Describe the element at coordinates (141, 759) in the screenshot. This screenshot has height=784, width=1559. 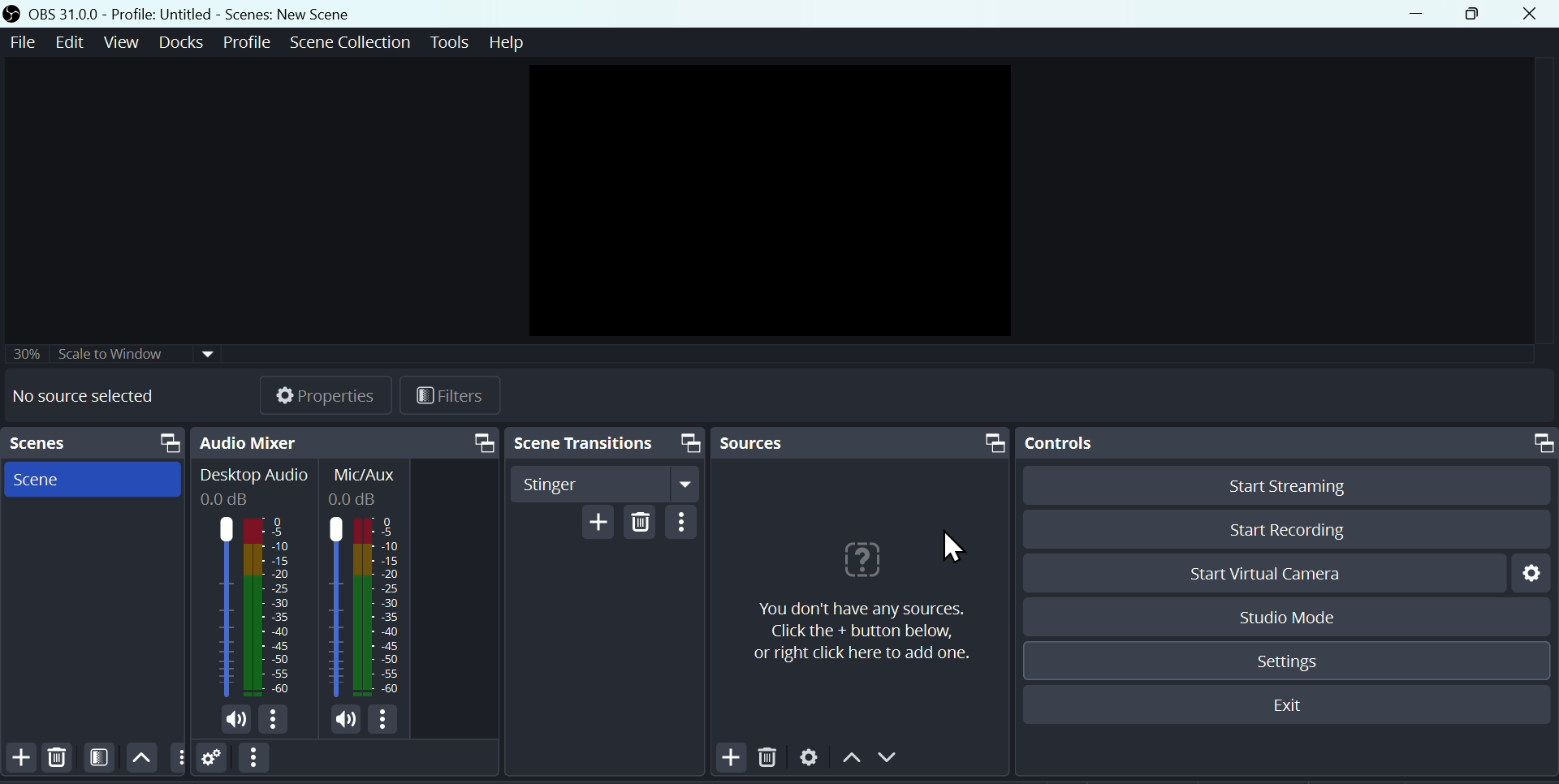
I see `Up` at that location.